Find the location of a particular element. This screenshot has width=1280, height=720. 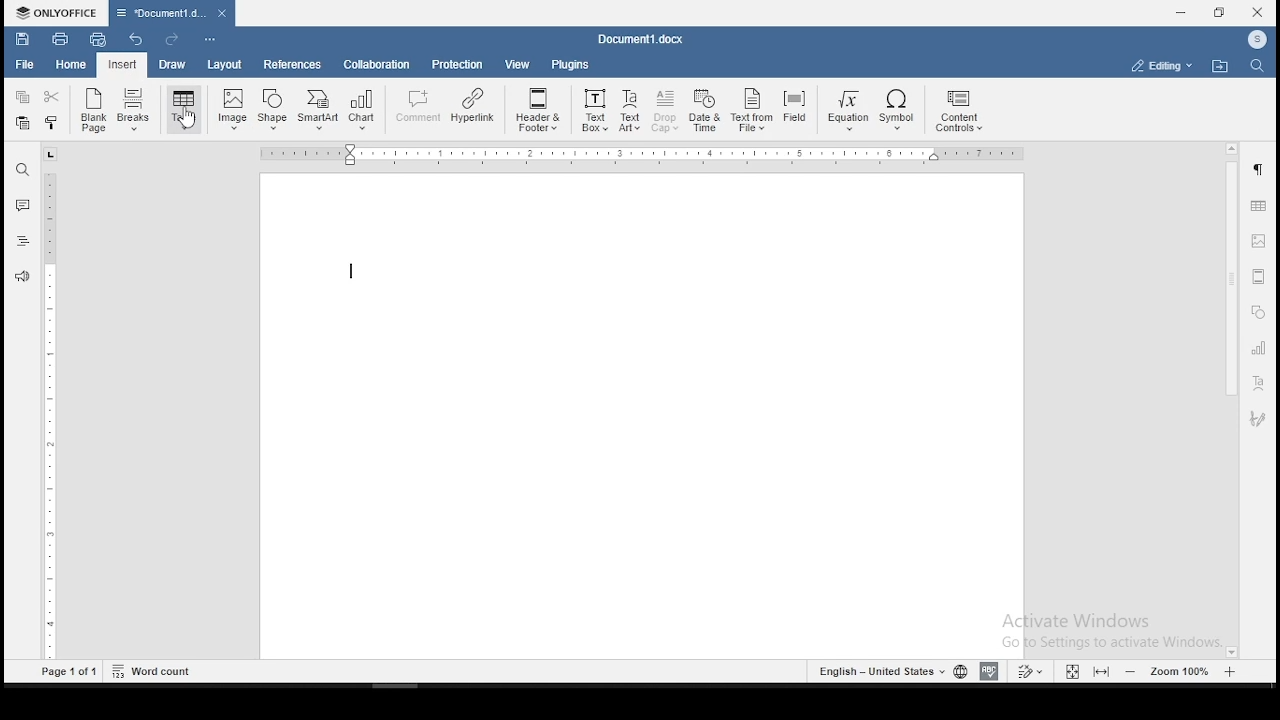

paragraph settings is located at coordinates (1261, 170).